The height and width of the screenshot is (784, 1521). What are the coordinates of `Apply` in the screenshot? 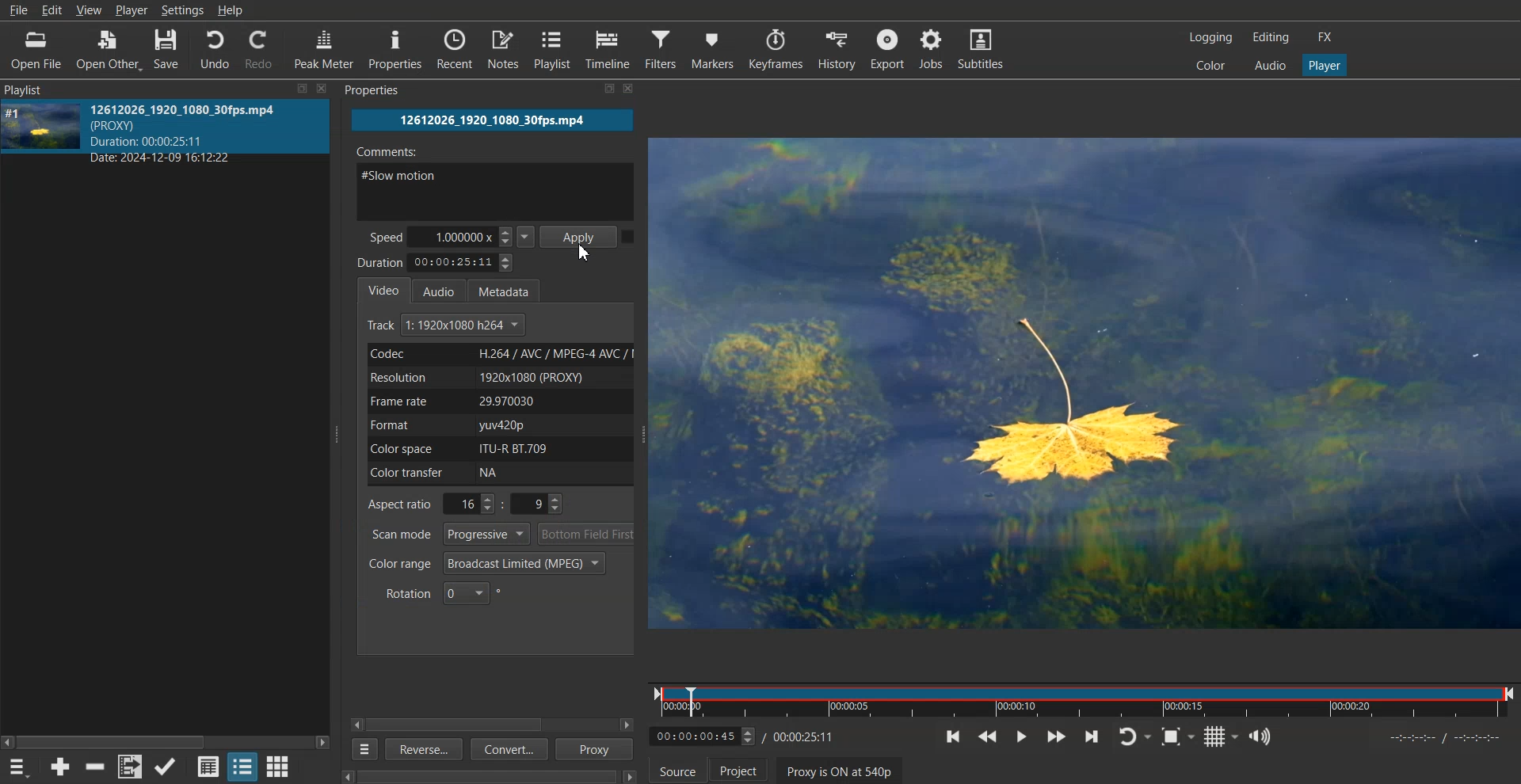 It's located at (581, 235).